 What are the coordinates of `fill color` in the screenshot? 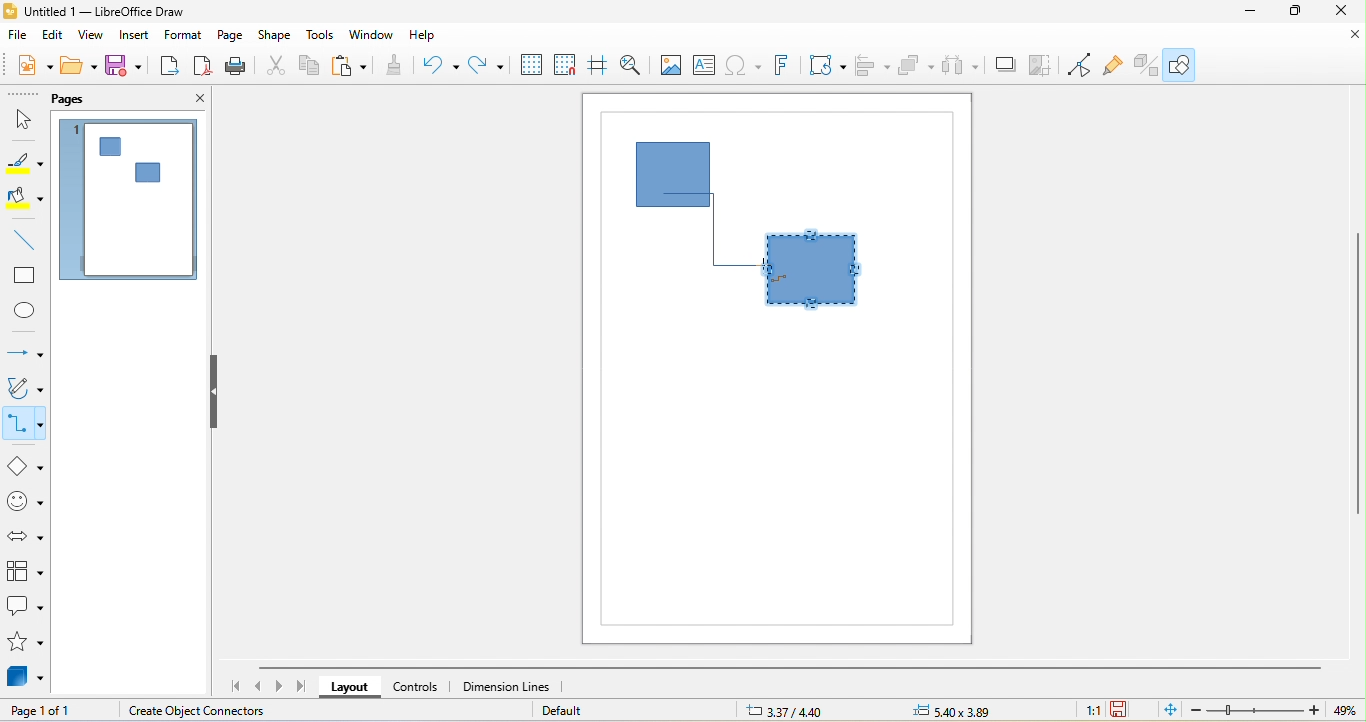 It's located at (25, 198).